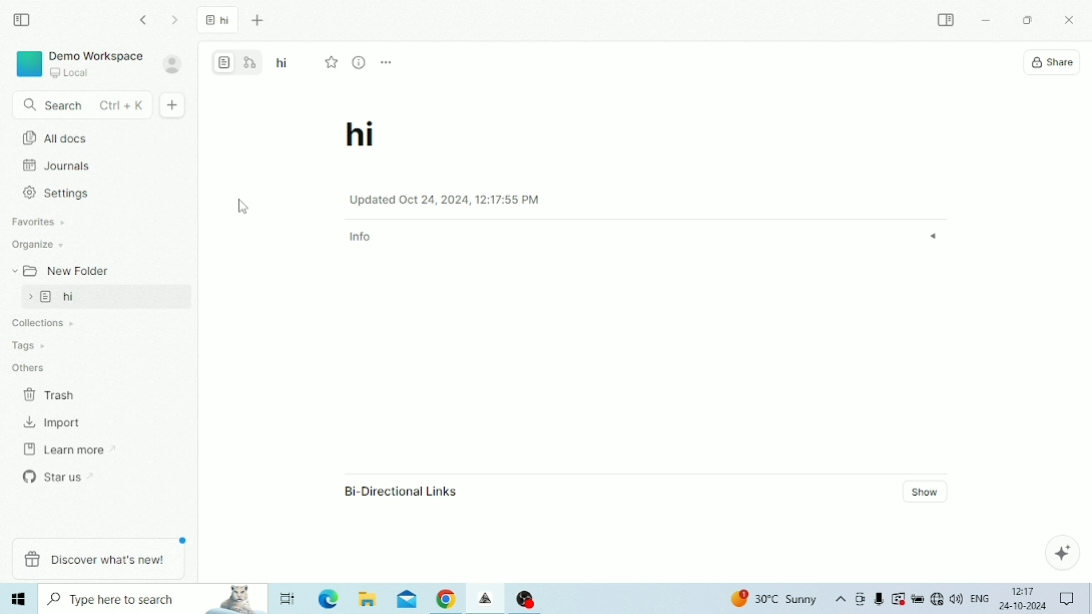  Describe the element at coordinates (289, 598) in the screenshot. I see `Task View` at that location.